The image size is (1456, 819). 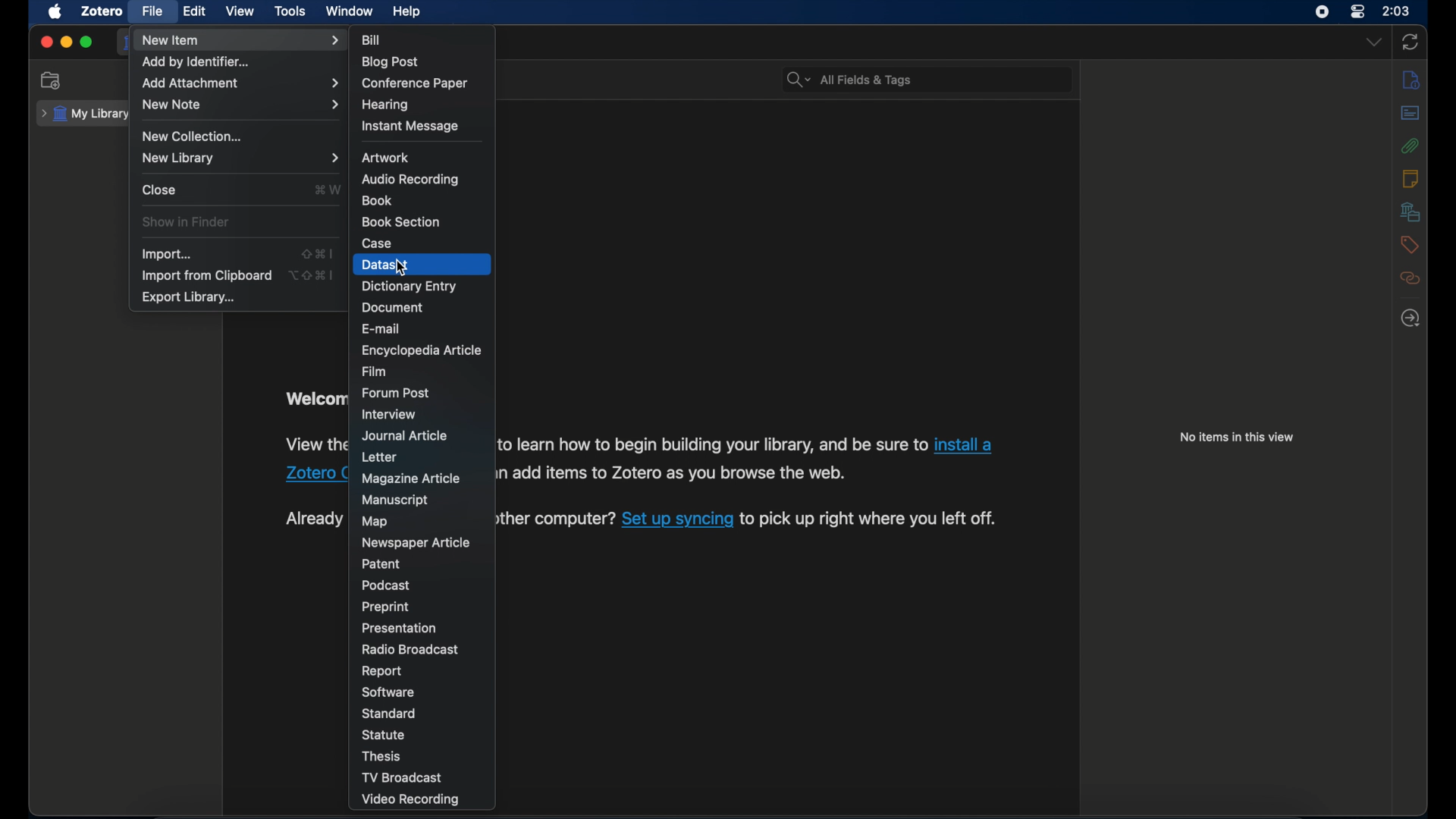 What do you see at coordinates (1375, 41) in the screenshot?
I see `dropdown` at bounding box center [1375, 41].